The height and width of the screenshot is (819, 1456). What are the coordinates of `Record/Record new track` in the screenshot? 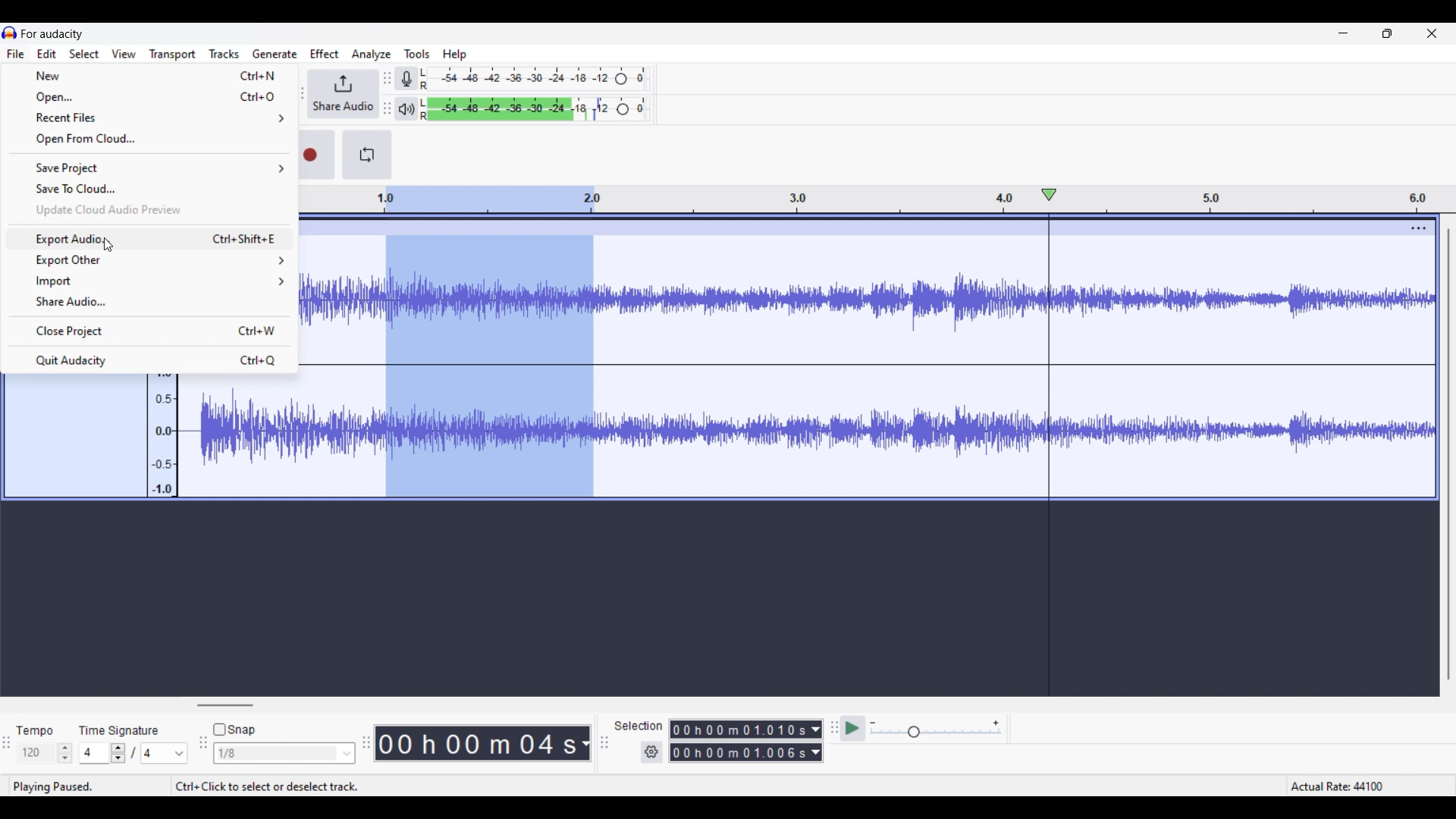 It's located at (318, 155).